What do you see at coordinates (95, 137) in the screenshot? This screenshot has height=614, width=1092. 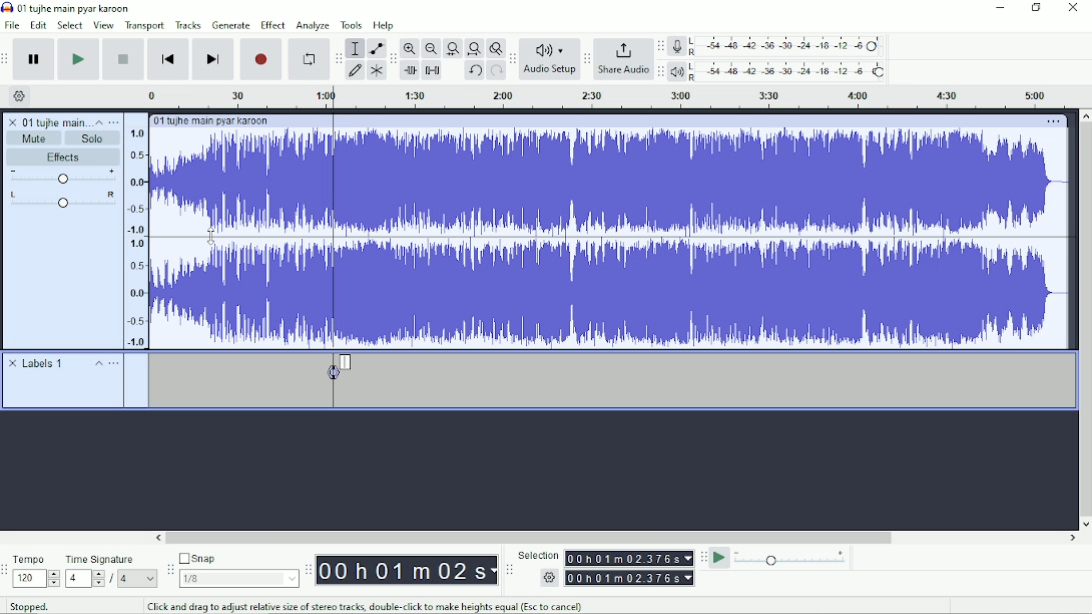 I see `Solo` at bounding box center [95, 137].